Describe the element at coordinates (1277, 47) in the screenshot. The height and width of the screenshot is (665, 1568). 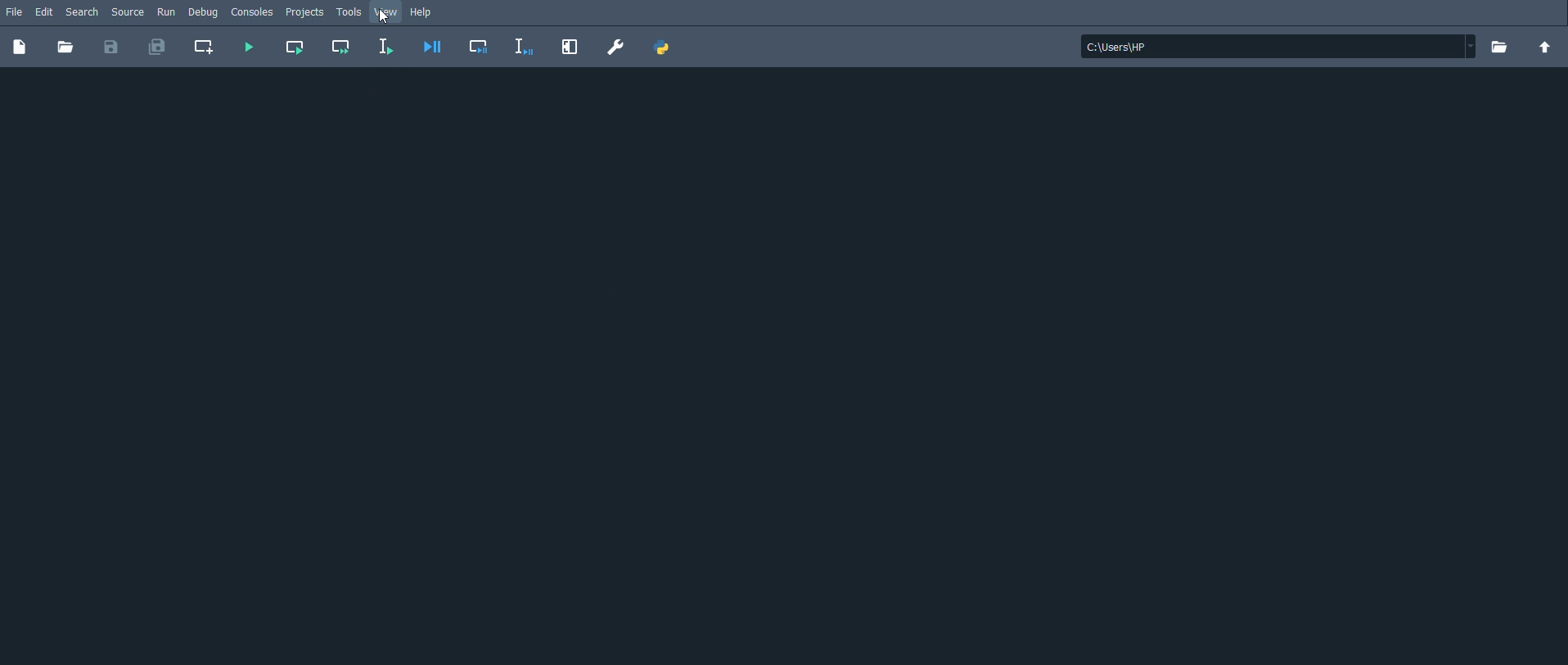
I see `File location` at that location.